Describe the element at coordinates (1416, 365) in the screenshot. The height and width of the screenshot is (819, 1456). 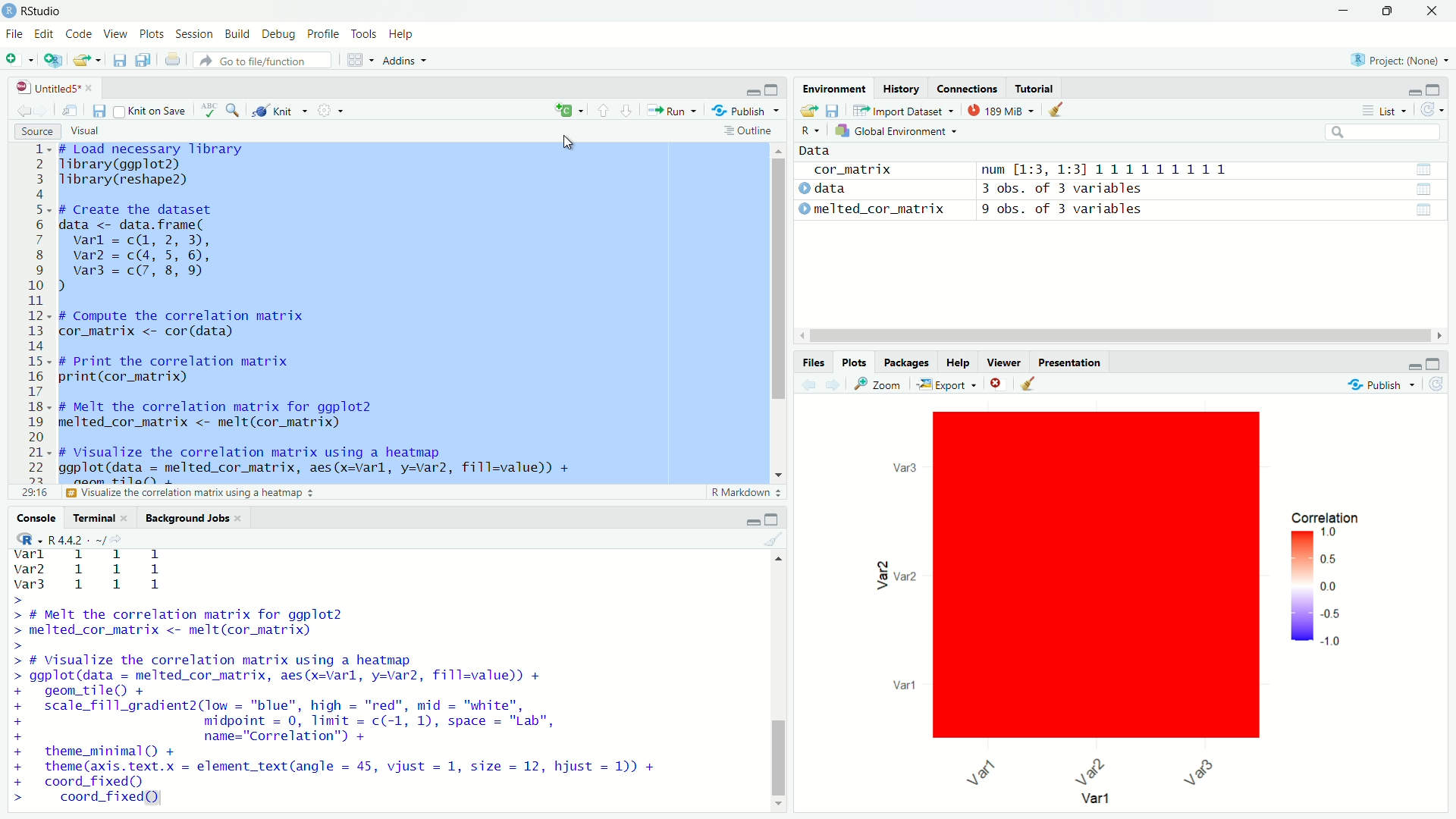
I see `minimize` at that location.